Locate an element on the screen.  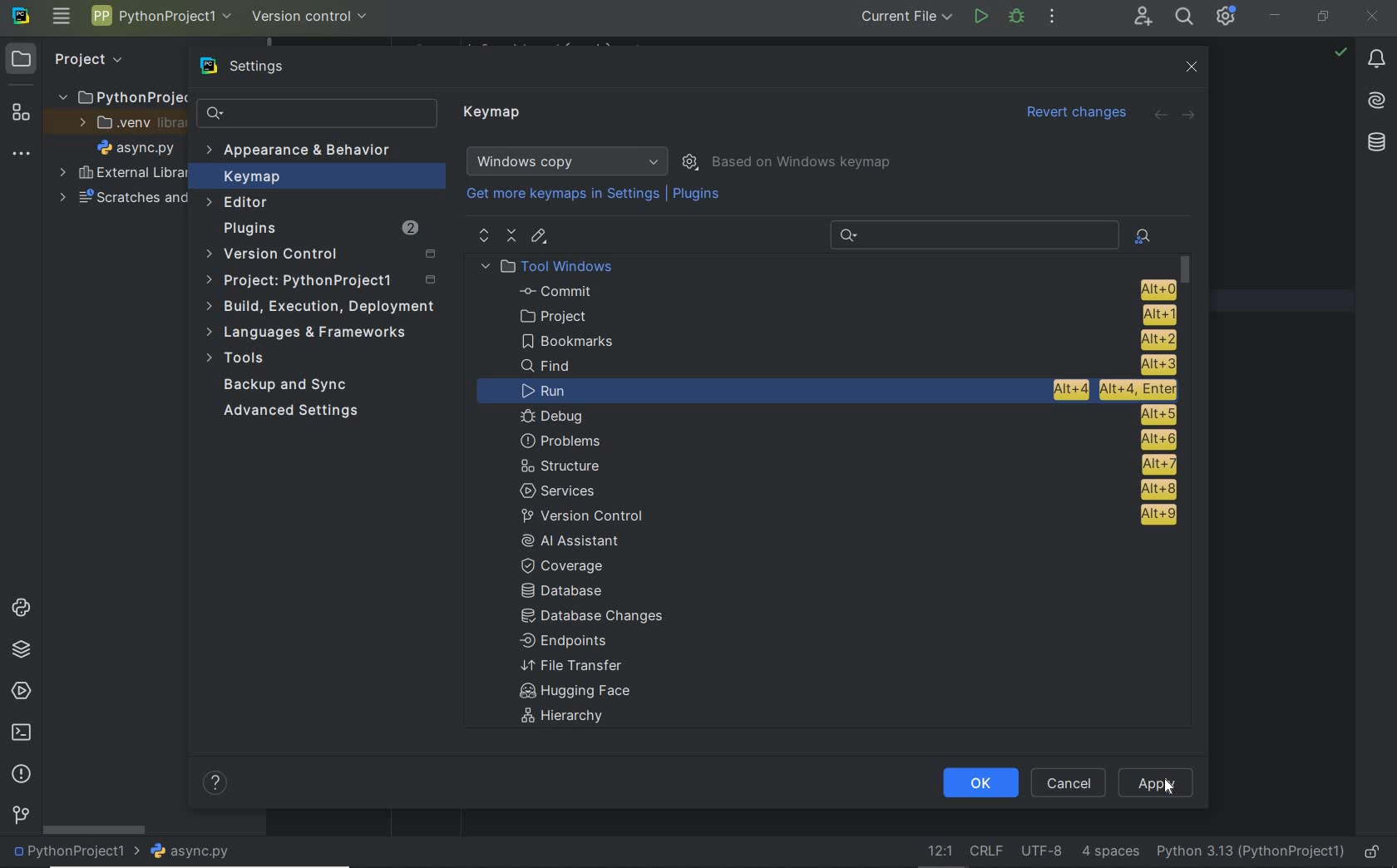
settings is located at coordinates (245, 67).